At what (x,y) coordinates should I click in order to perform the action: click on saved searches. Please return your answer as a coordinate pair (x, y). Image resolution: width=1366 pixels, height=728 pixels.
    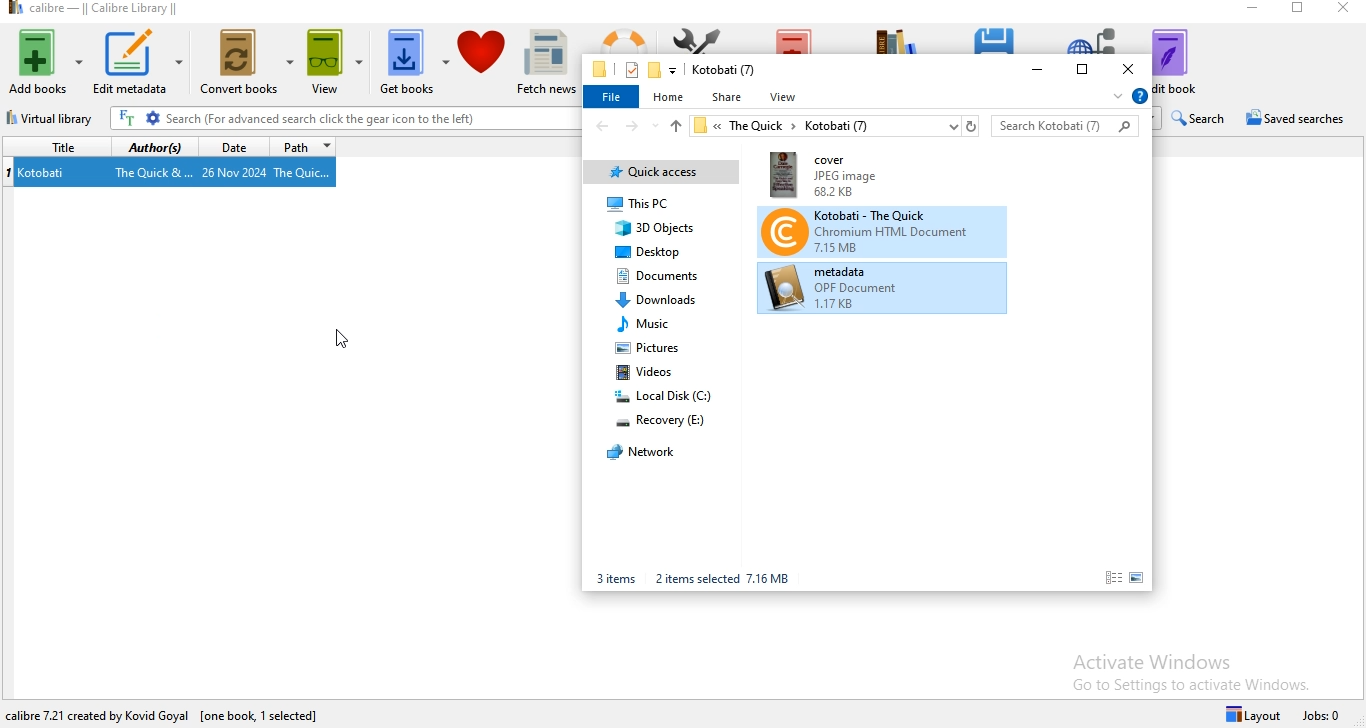
    Looking at the image, I should click on (1297, 118).